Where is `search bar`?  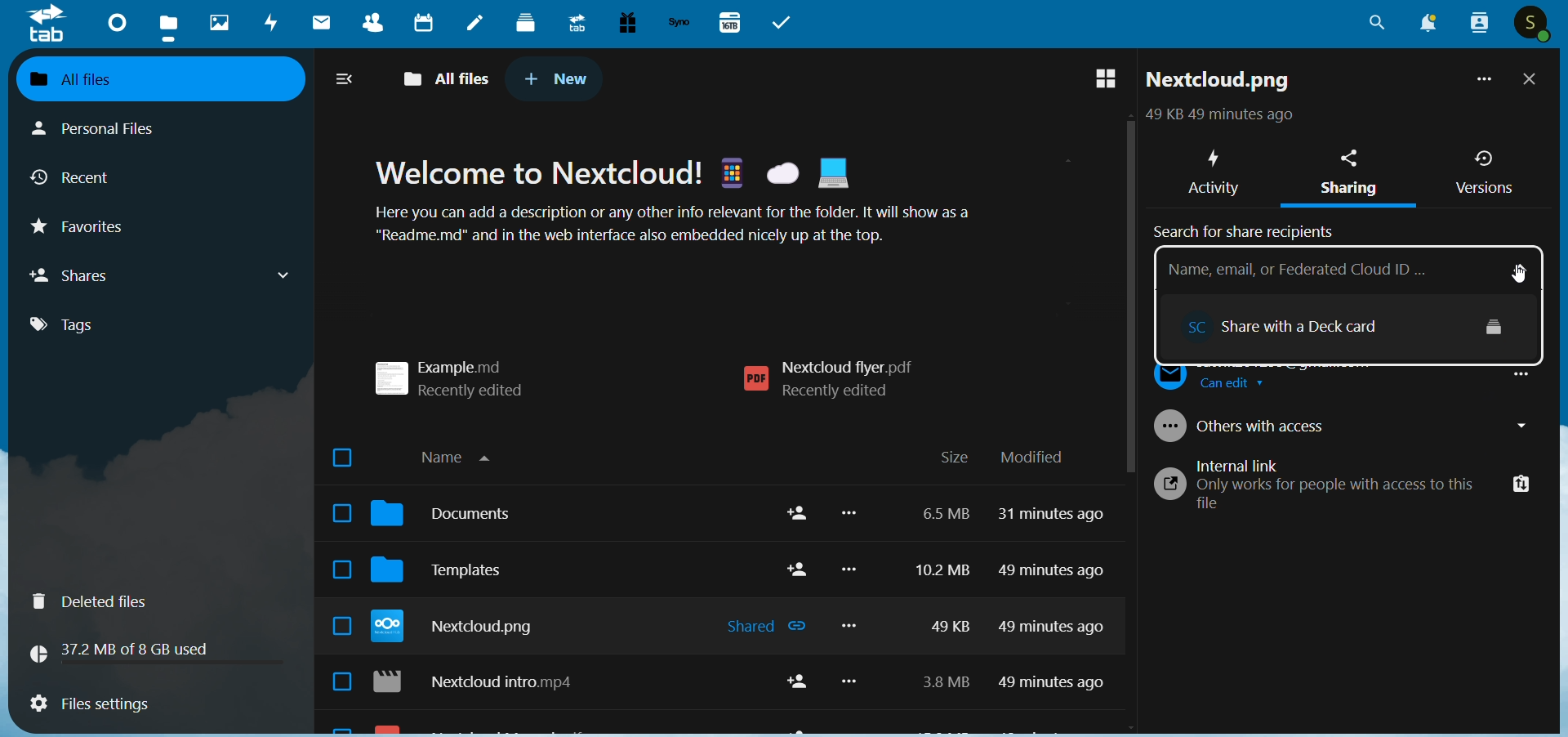 search bar is located at coordinates (1321, 271).